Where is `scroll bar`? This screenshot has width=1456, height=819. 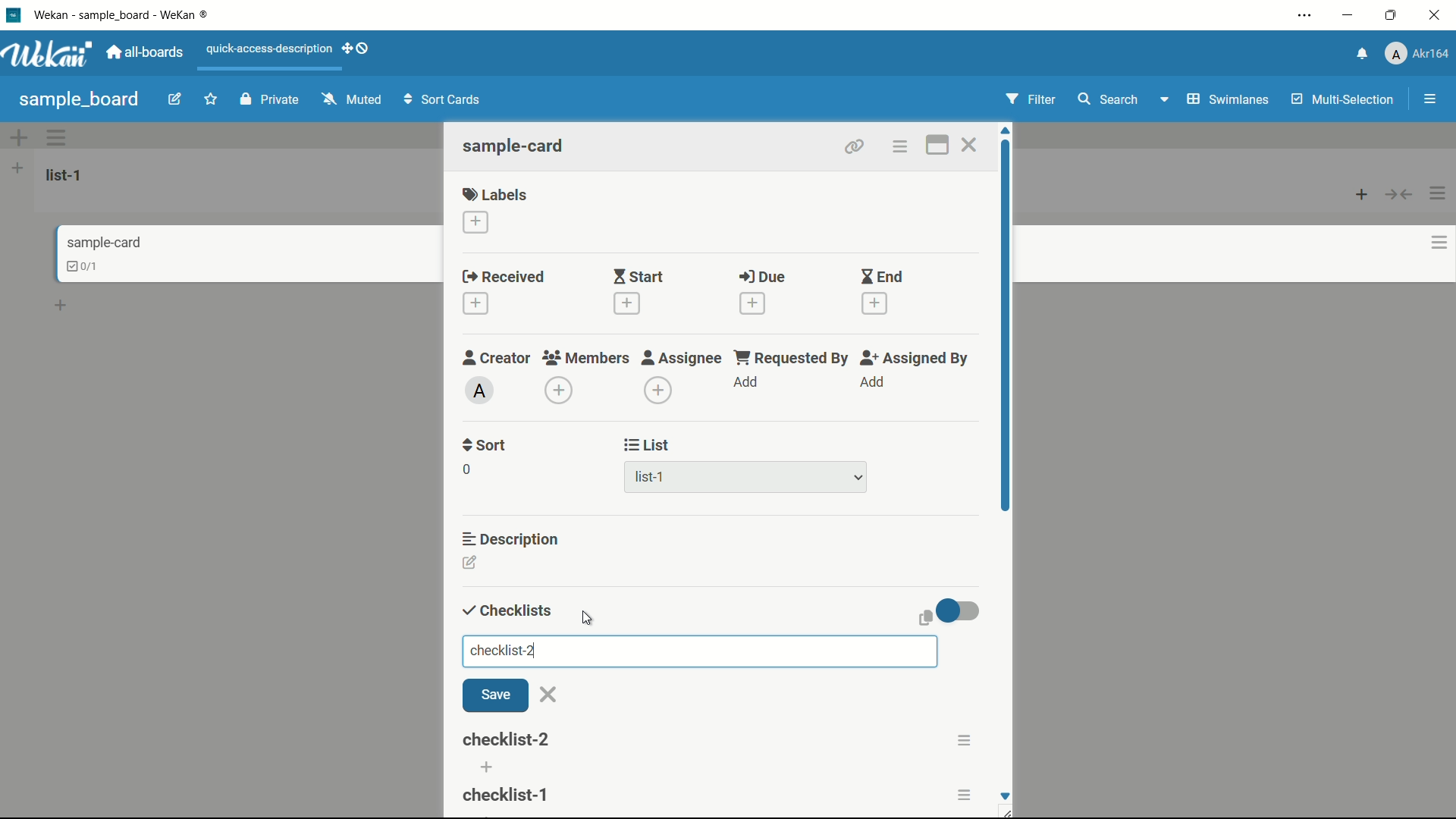 scroll bar is located at coordinates (1007, 378).